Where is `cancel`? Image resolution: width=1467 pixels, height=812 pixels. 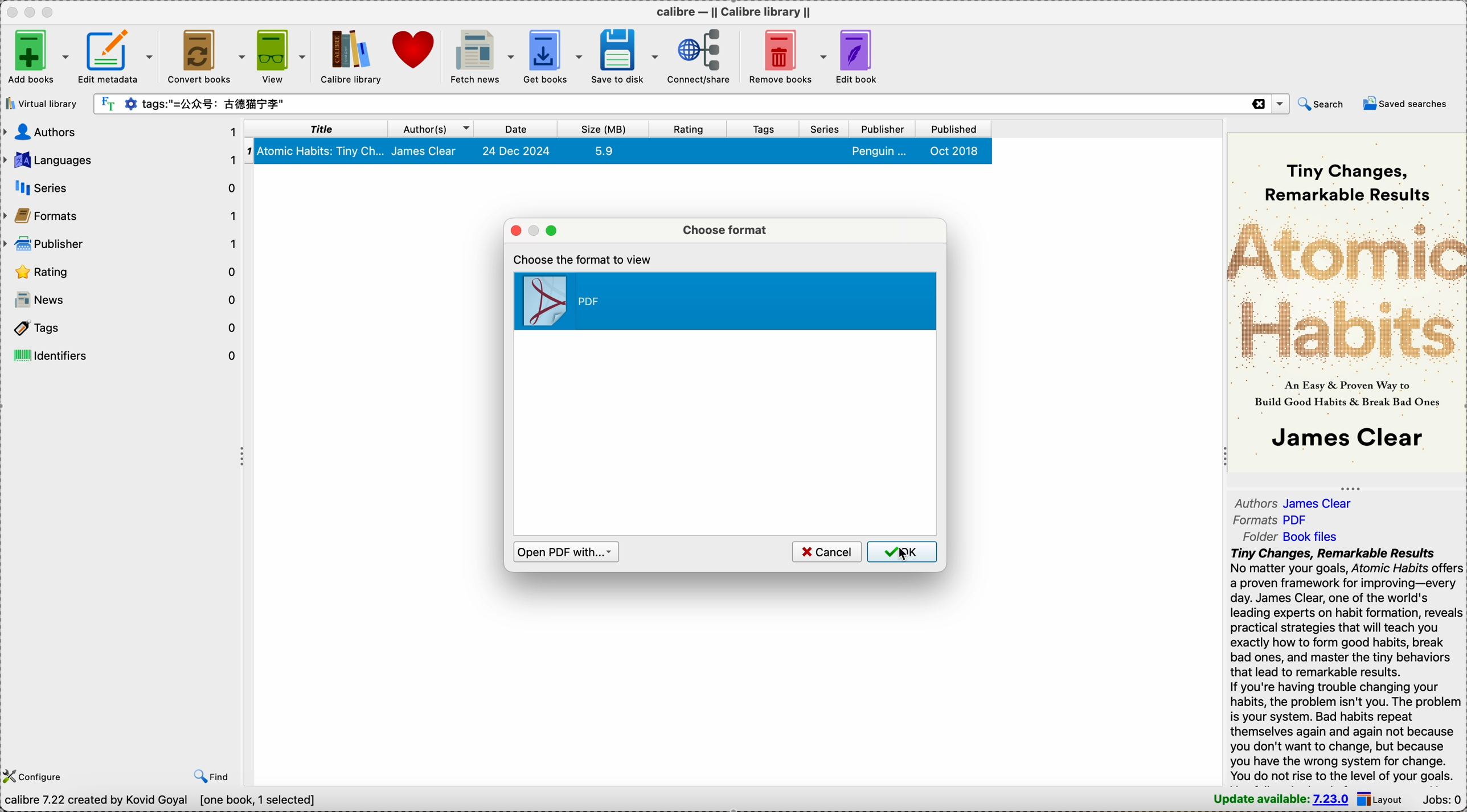 cancel is located at coordinates (828, 552).